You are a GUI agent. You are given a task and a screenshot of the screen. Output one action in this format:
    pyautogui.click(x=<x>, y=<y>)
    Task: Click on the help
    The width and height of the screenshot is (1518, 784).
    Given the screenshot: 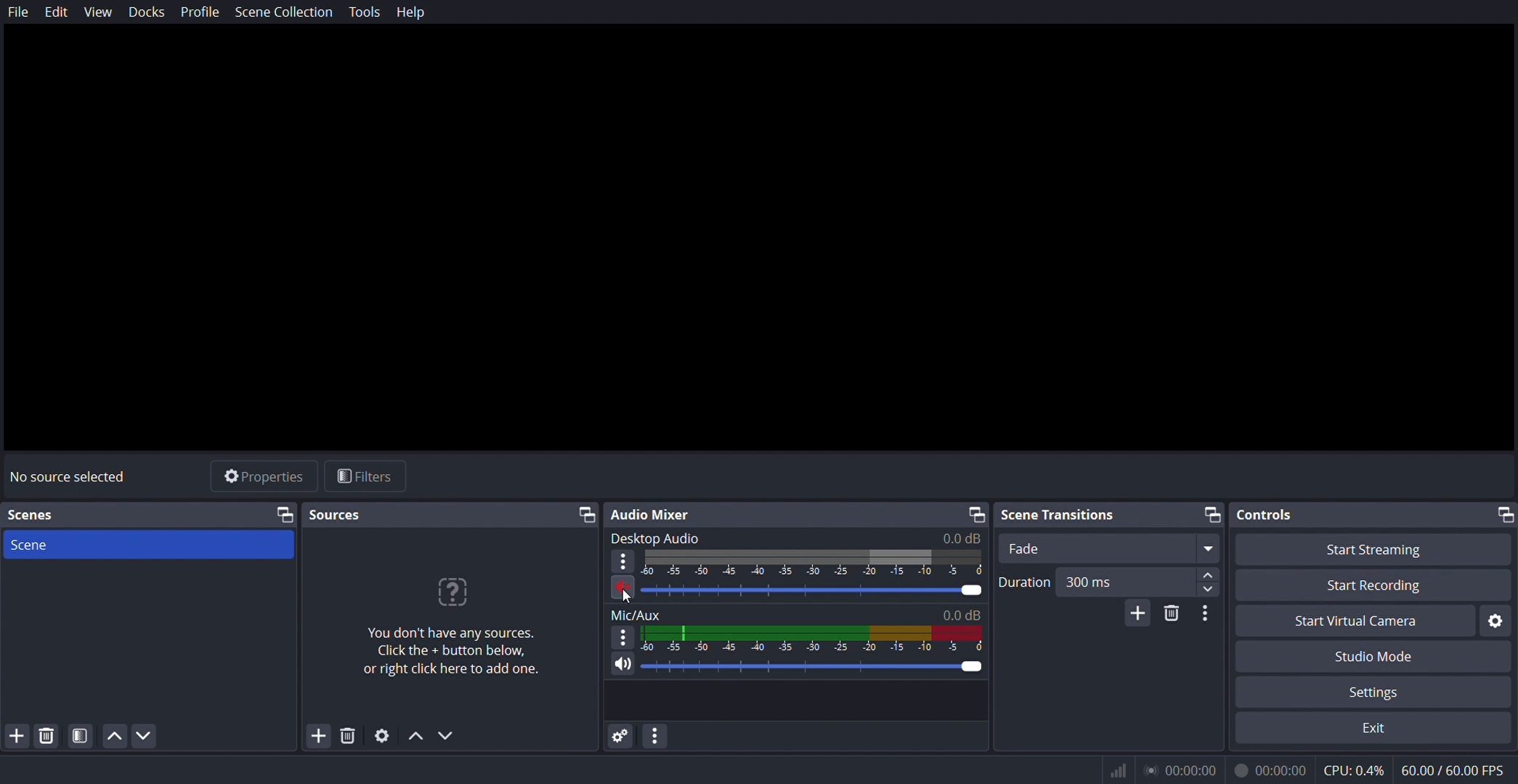 What is the action you would take?
    pyautogui.click(x=413, y=14)
    